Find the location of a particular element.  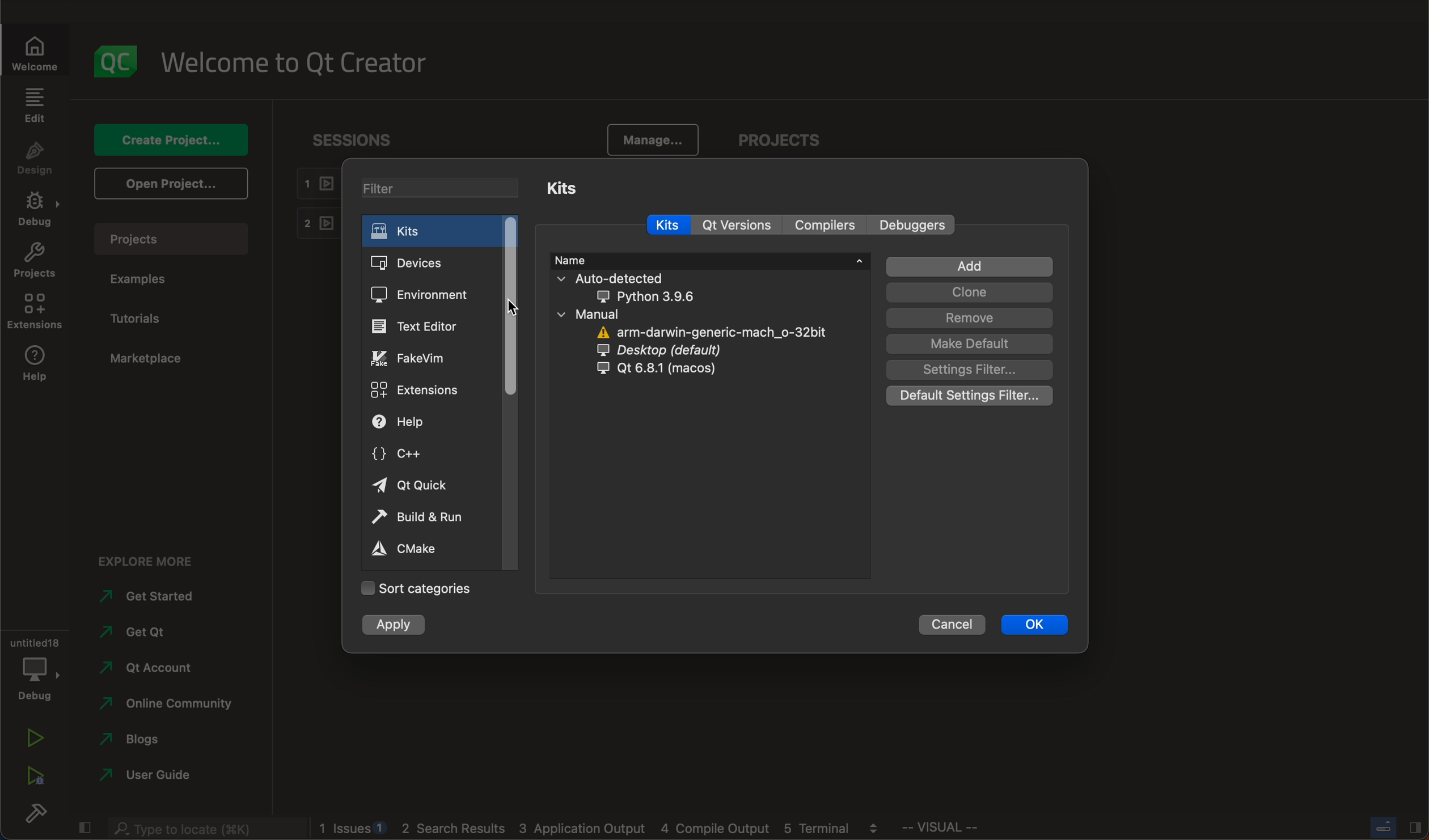

qt is located at coordinates (667, 370).